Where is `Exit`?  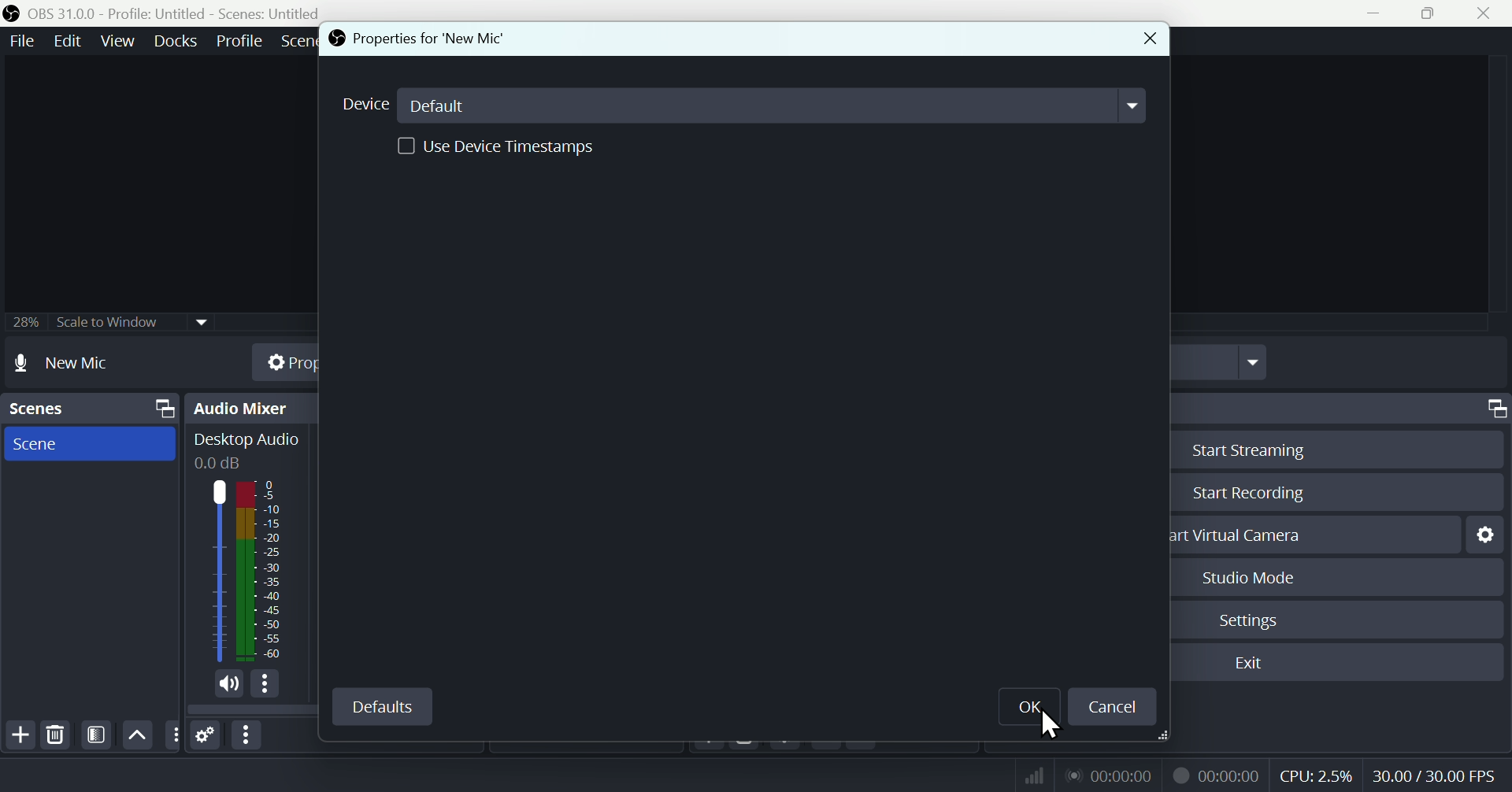
Exit is located at coordinates (1258, 663).